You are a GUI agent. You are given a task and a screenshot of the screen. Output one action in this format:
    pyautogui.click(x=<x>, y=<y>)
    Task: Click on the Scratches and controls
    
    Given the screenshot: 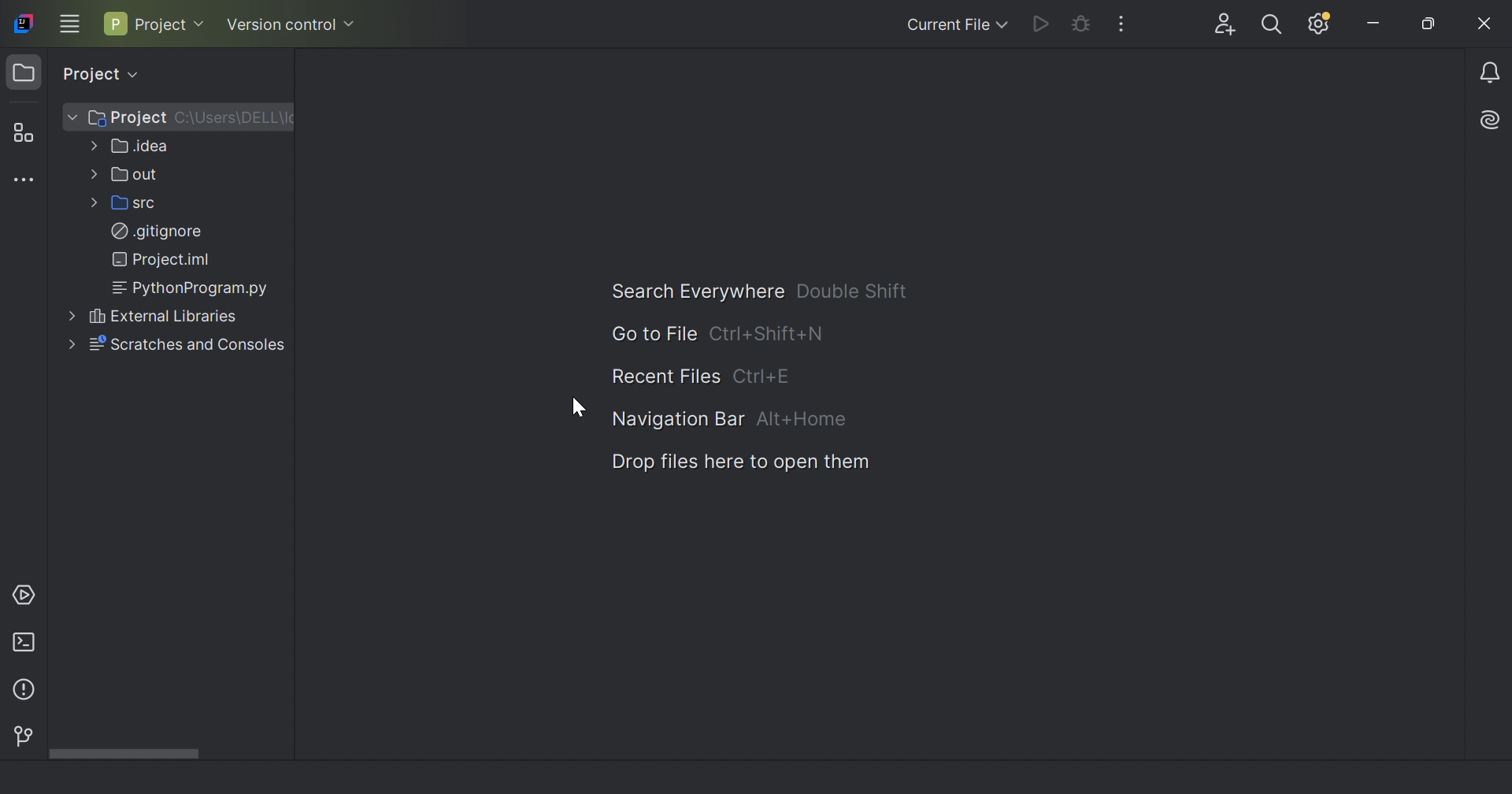 What is the action you would take?
    pyautogui.click(x=176, y=344)
    